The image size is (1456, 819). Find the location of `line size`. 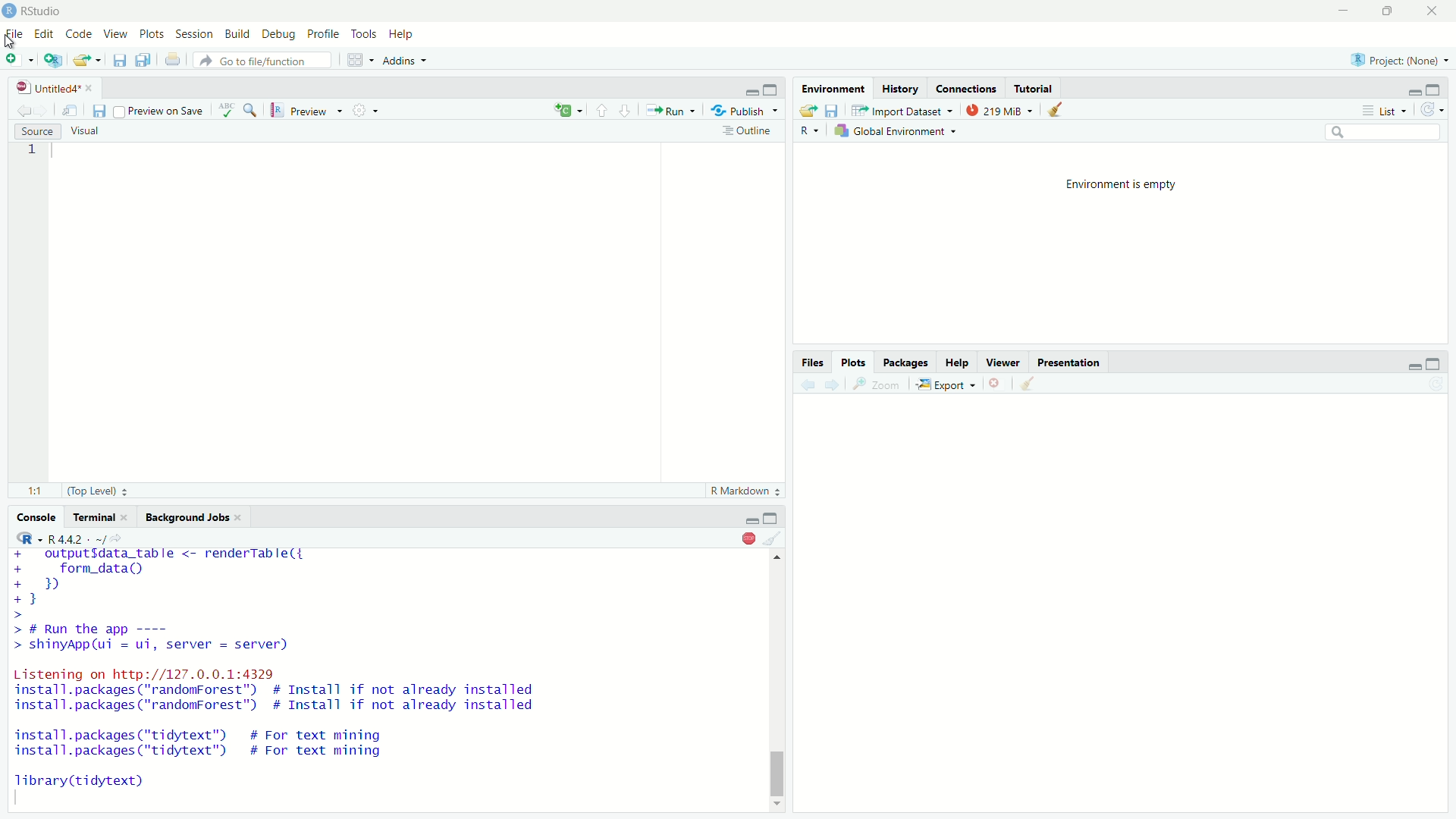

line size is located at coordinates (32, 491).